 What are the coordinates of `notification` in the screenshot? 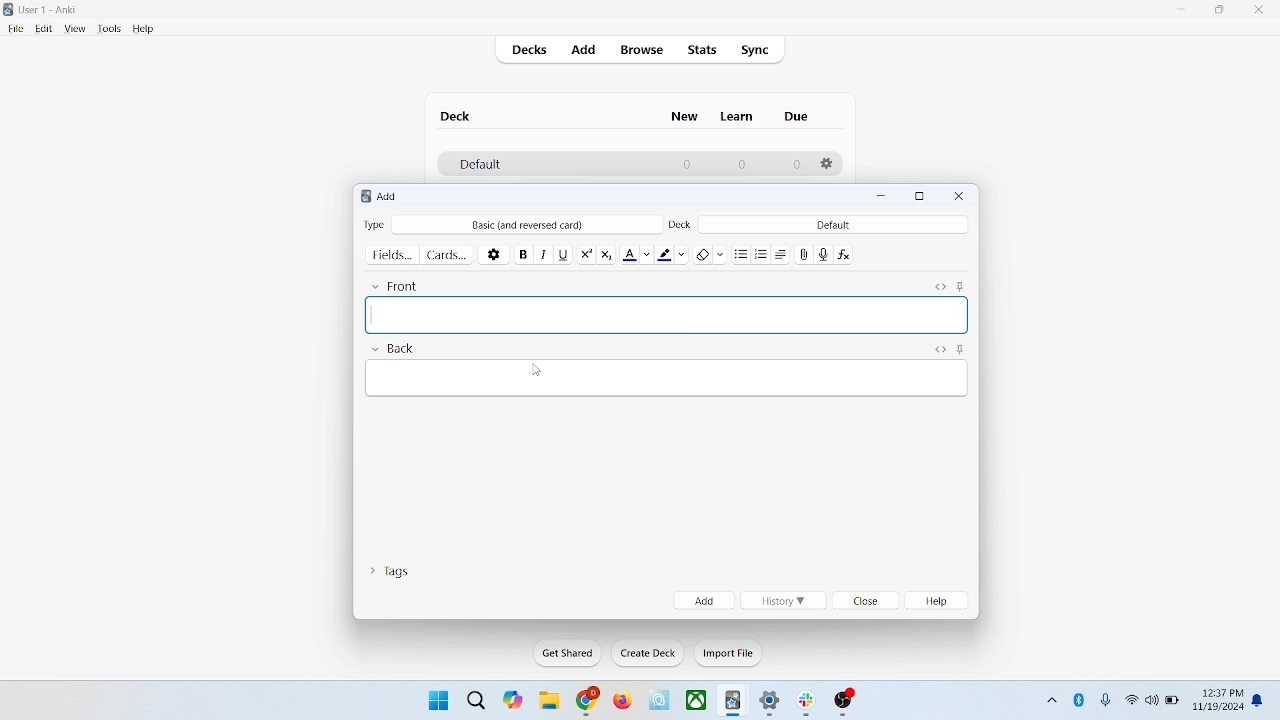 It's located at (1262, 699).